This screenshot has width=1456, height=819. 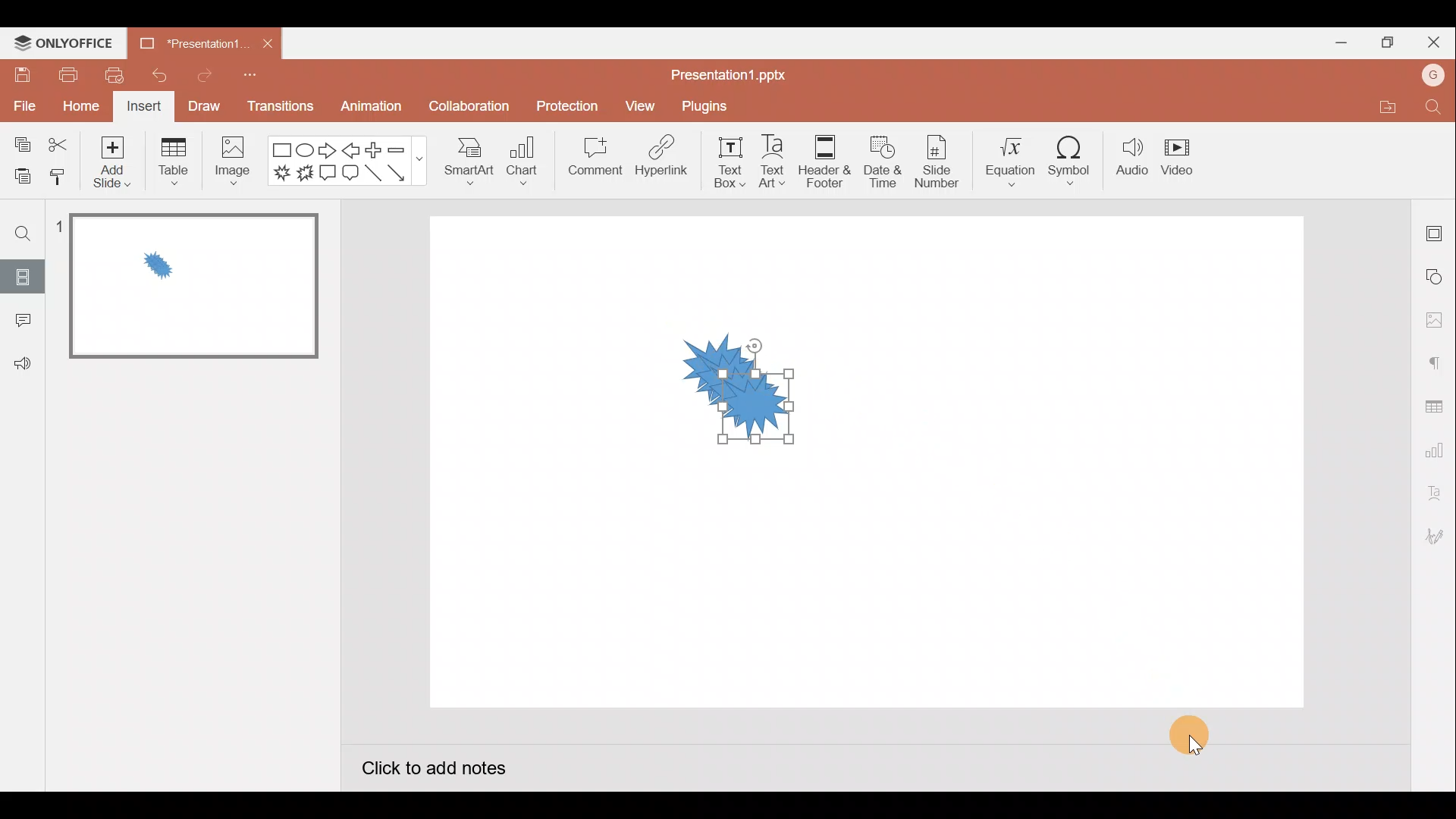 I want to click on Rectangular callout, so click(x=329, y=175).